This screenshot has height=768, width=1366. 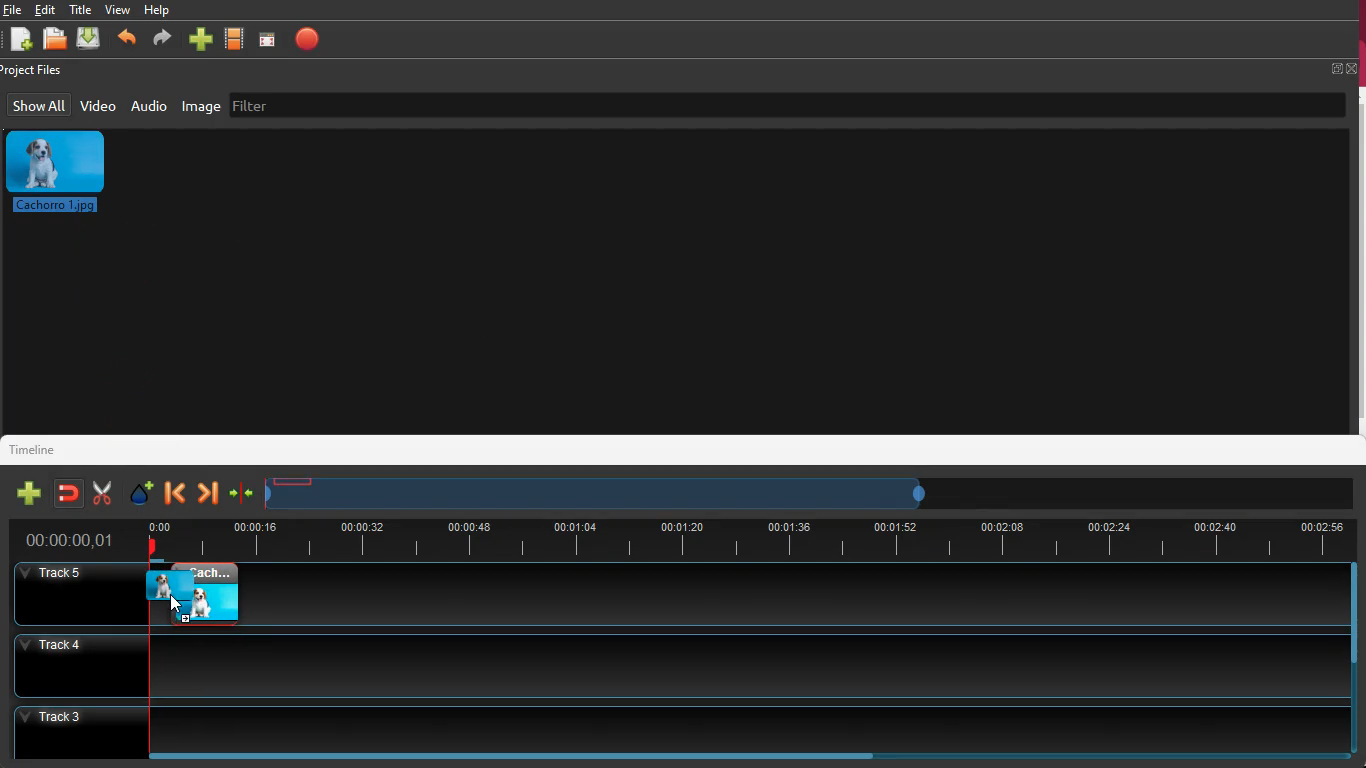 I want to click on back, so click(x=175, y=493).